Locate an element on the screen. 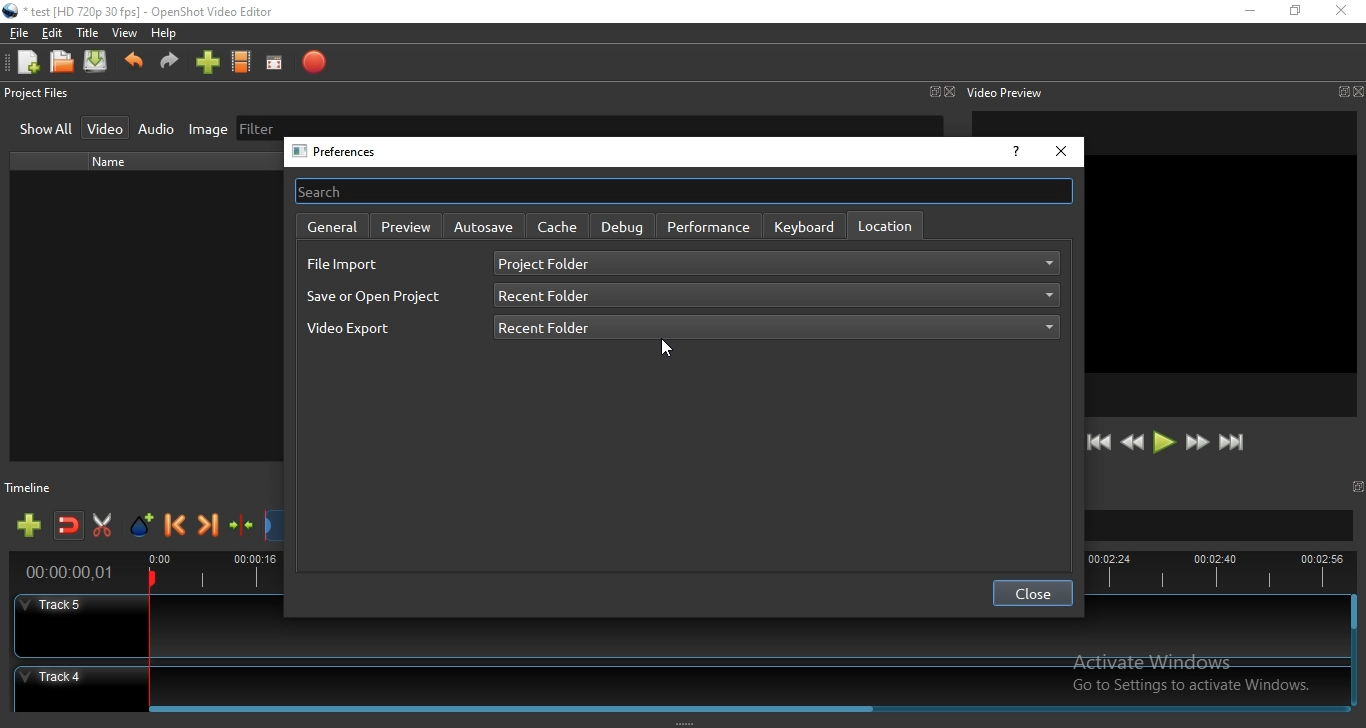 The height and width of the screenshot is (728, 1366). time is located at coordinates (65, 574).